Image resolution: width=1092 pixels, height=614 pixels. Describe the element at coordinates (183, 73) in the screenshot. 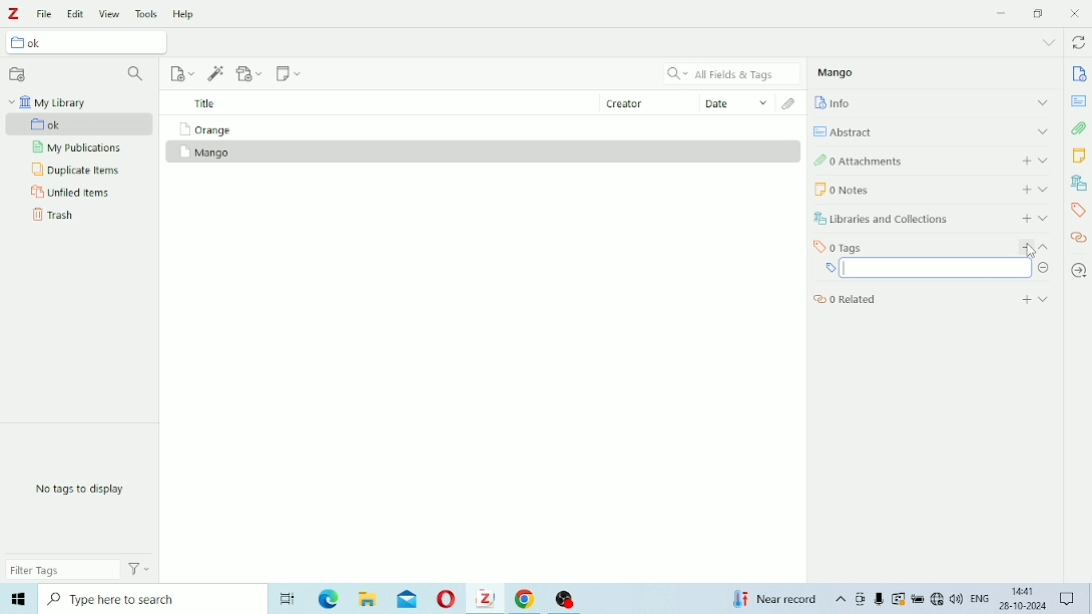

I see `New Item` at that location.